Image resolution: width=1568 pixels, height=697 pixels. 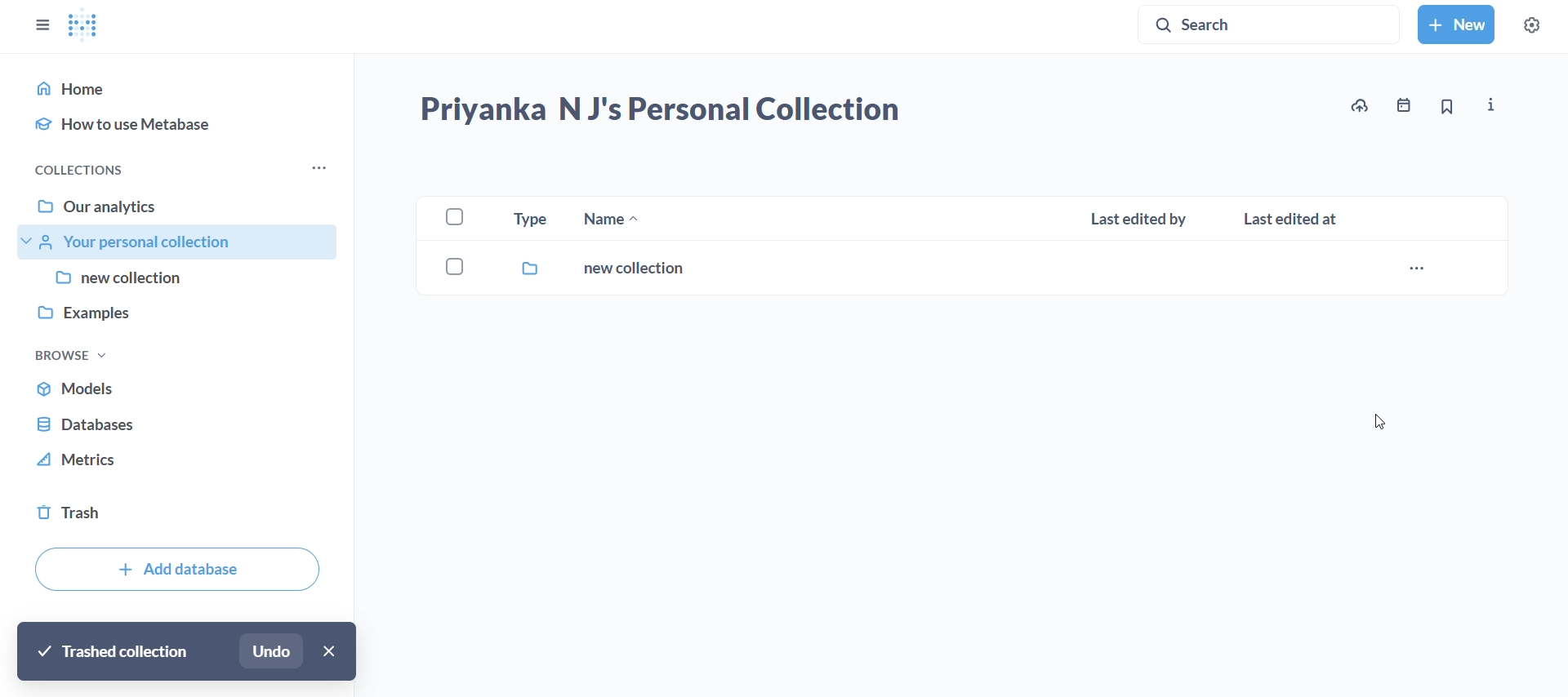 What do you see at coordinates (176, 567) in the screenshot?
I see `add database` at bounding box center [176, 567].